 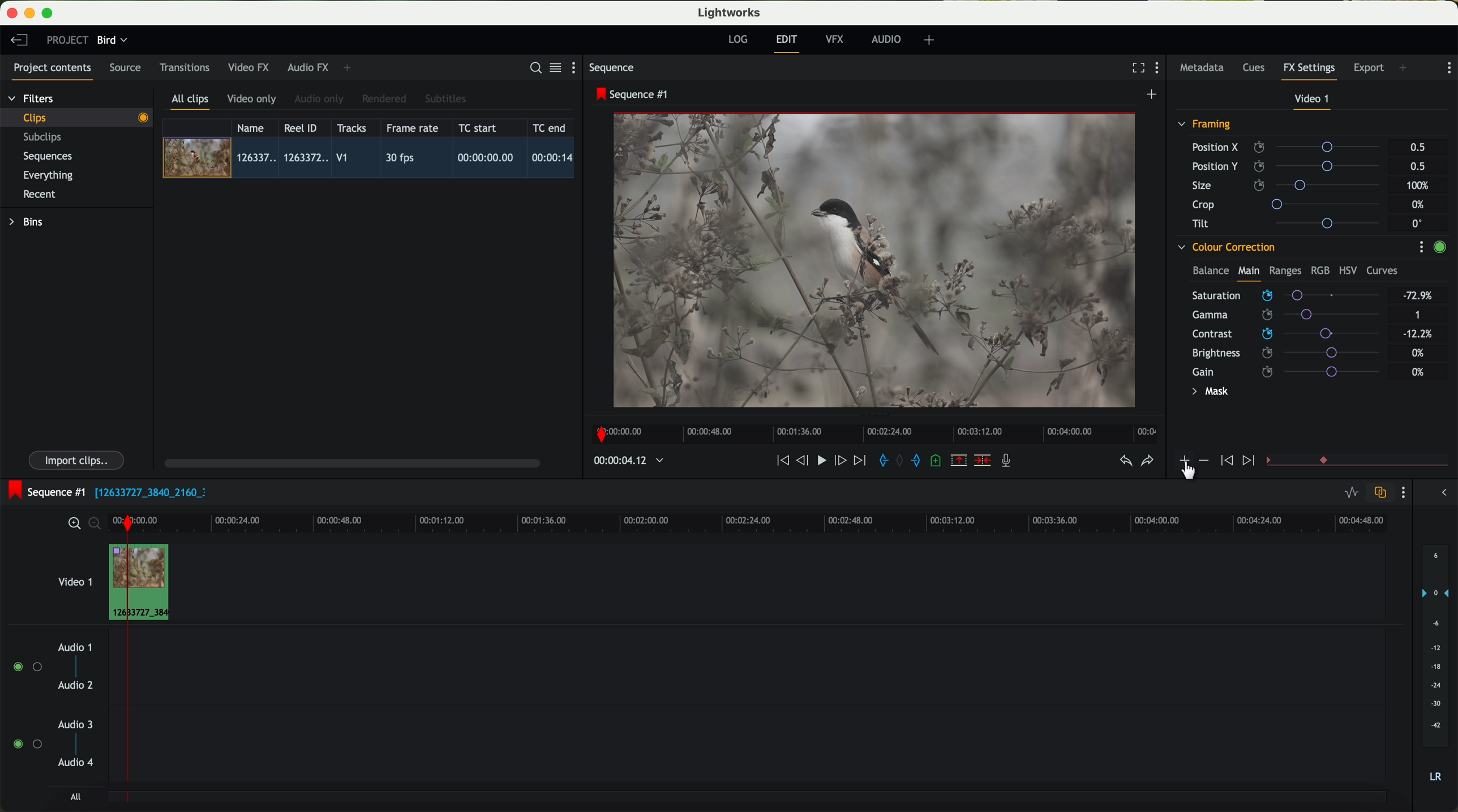 I want to click on delete/cut, so click(x=983, y=461).